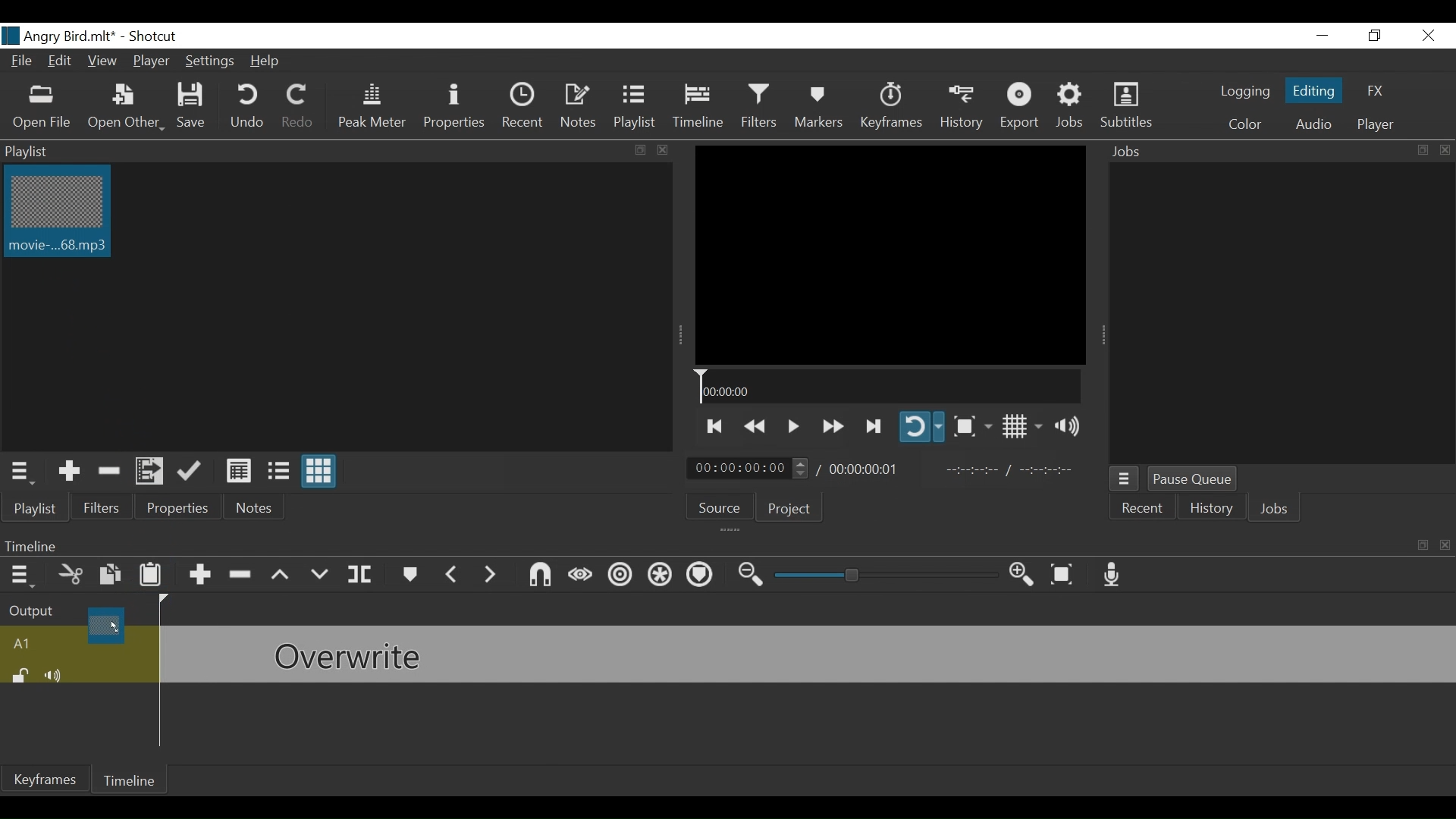  Describe the element at coordinates (1278, 510) in the screenshot. I see `Jobs` at that location.